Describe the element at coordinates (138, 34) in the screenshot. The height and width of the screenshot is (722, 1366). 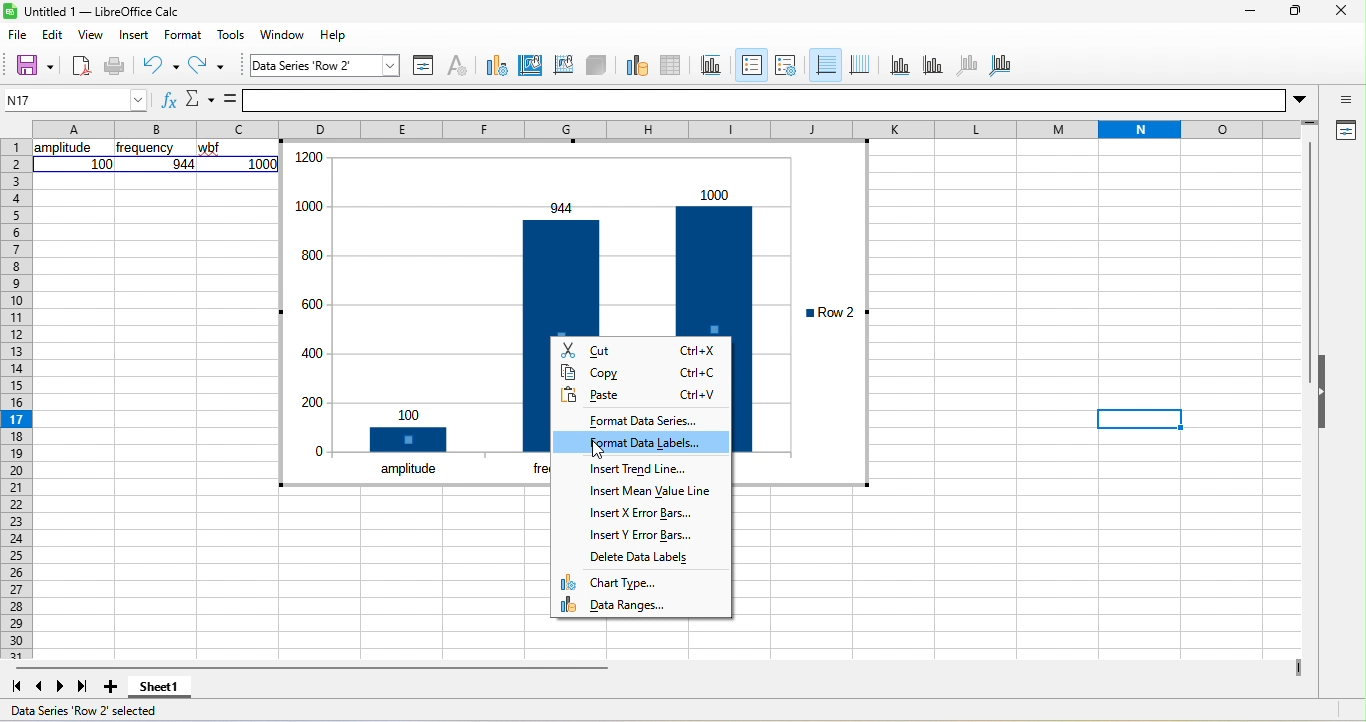
I see `insert` at that location.